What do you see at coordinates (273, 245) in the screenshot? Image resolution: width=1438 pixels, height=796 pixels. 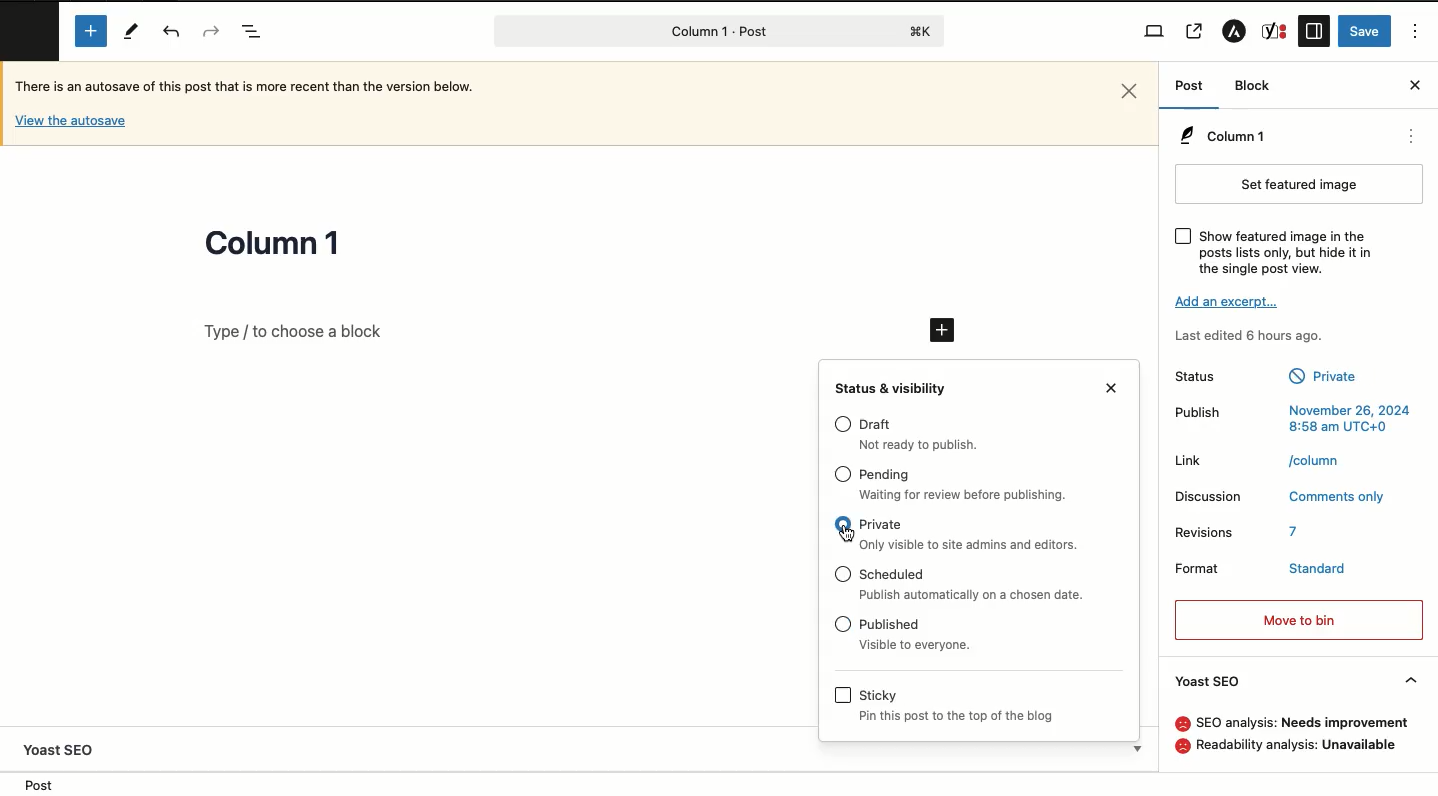 I see `Title` at bounding box center [273, 245].